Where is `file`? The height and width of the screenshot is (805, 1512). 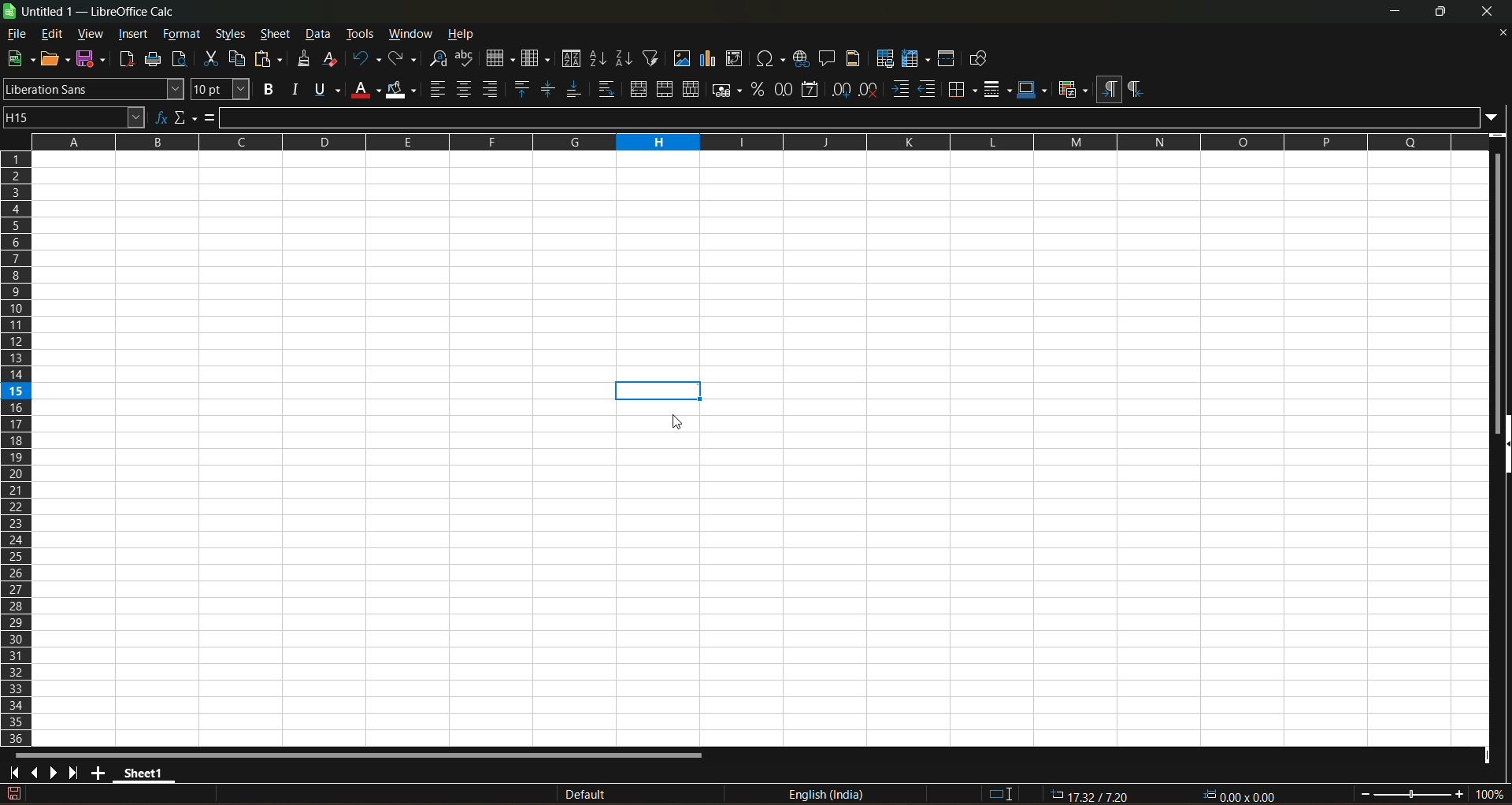
file is located at coordinates (17, 35).